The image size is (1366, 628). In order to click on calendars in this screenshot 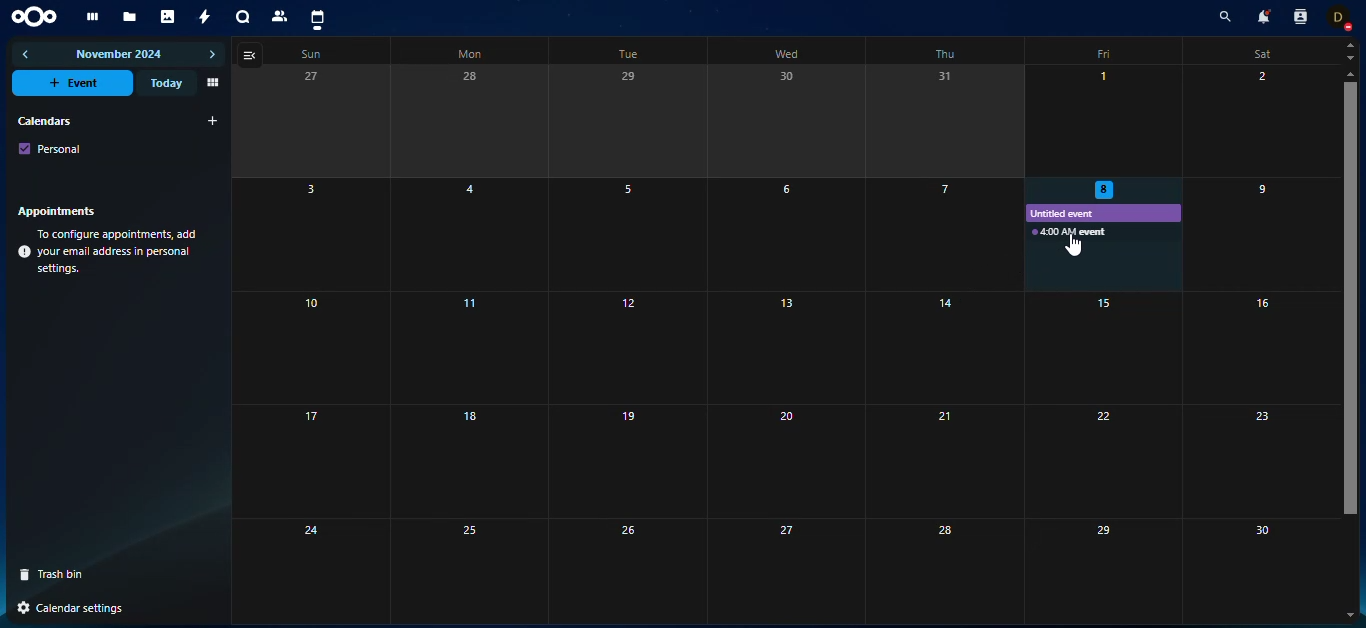, I will do `click(43, 120)`.